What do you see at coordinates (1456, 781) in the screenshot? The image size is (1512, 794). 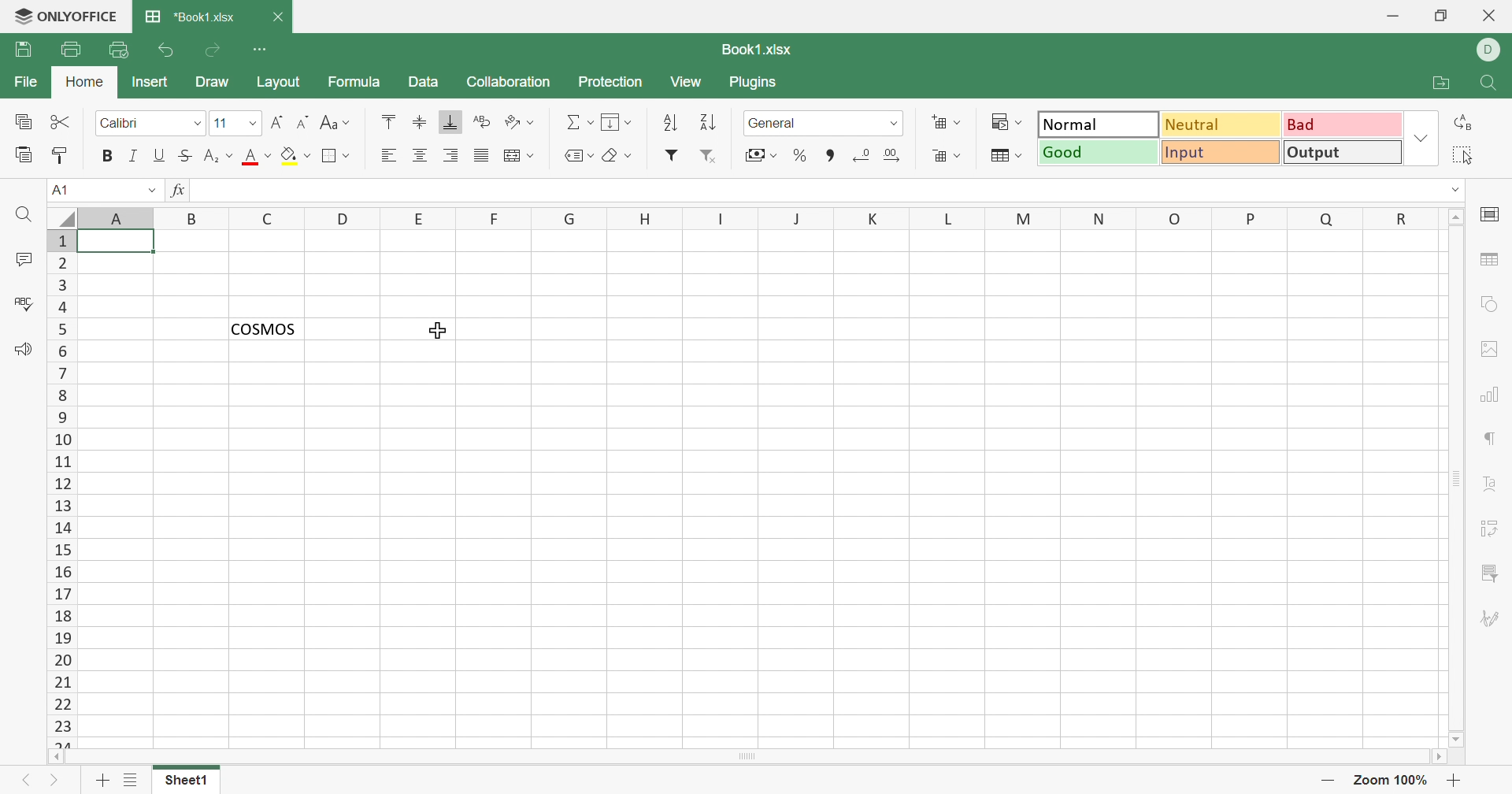 I see `Zoom in` at bounding box center [1456, 781].